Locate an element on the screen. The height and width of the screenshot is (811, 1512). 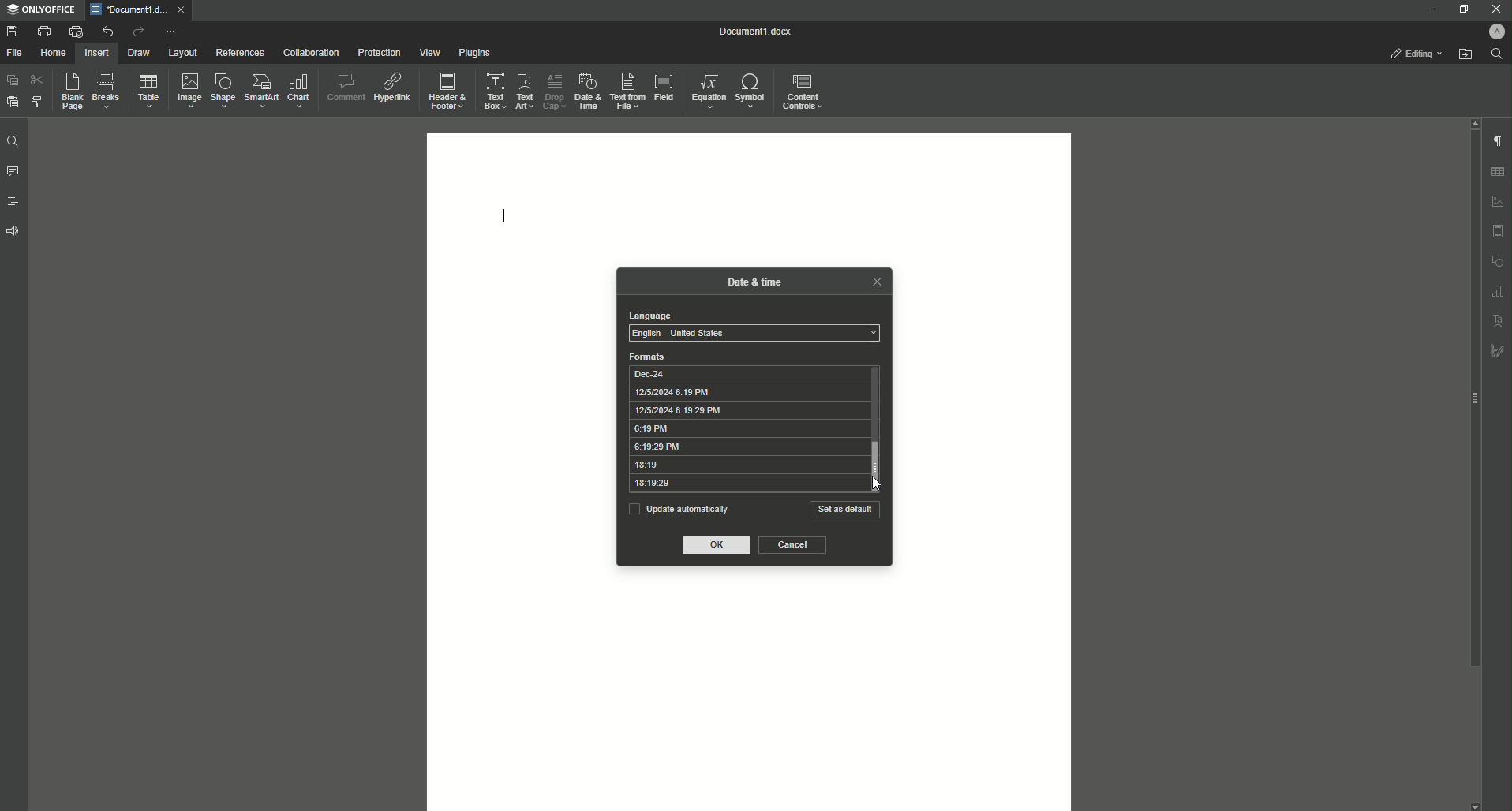
text art settings is located at coordinates (1499, 319).